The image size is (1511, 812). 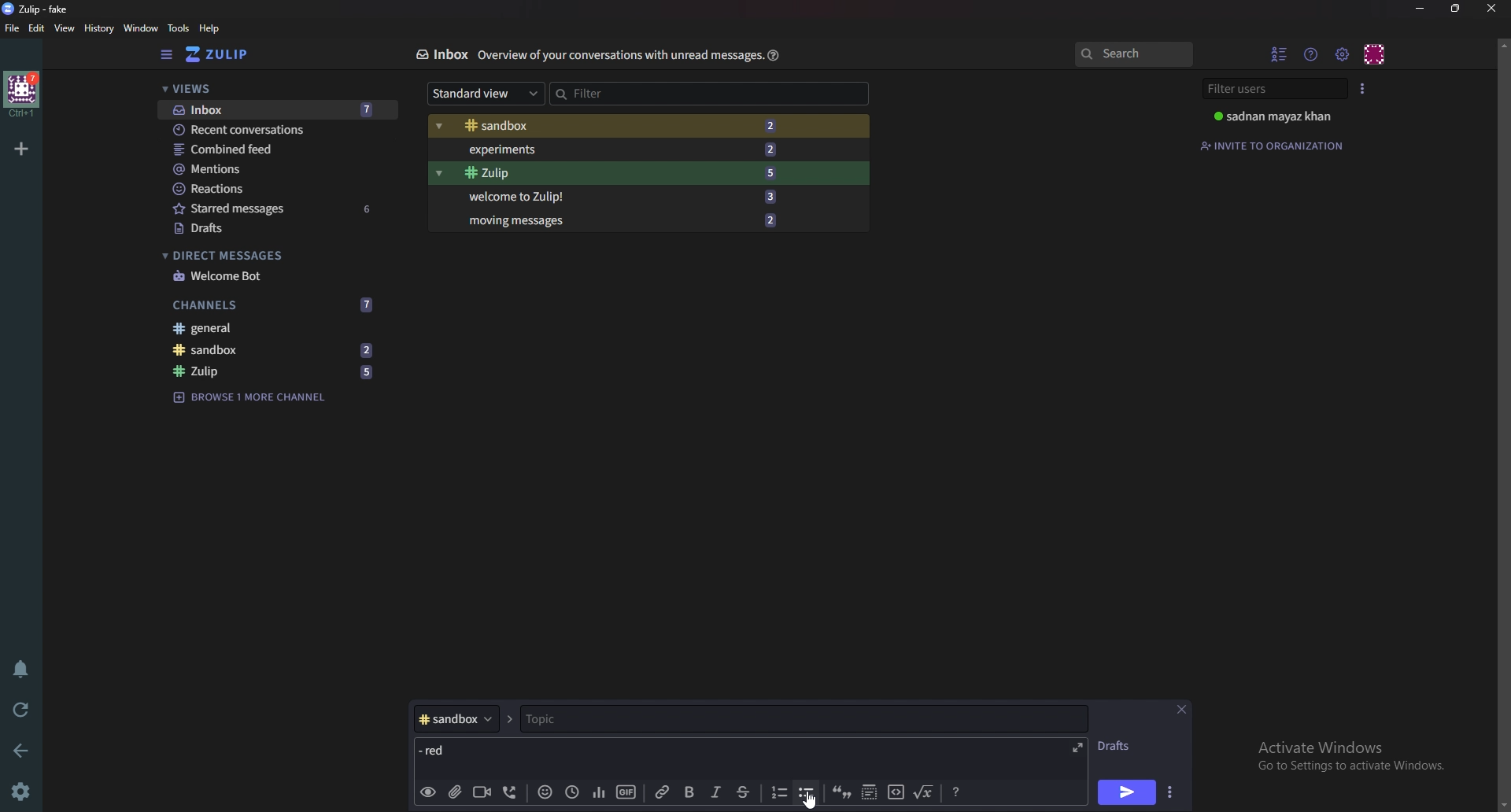 What do you see at coordinates (275, 372) in the screenshot?
I see `Zulip` at bounding box center [275, 372].